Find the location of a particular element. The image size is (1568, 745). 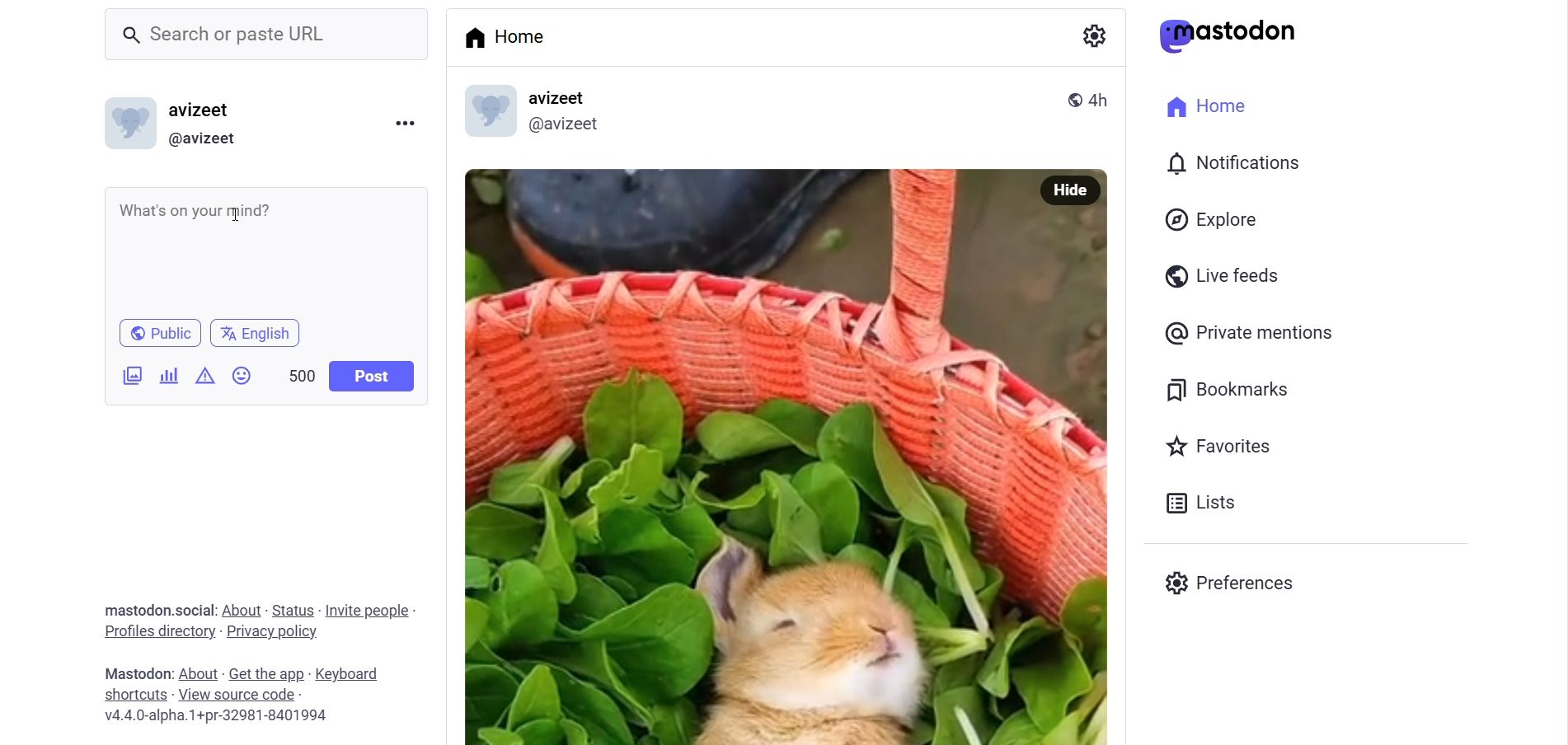

Menu is located at coordinates (409, 123).